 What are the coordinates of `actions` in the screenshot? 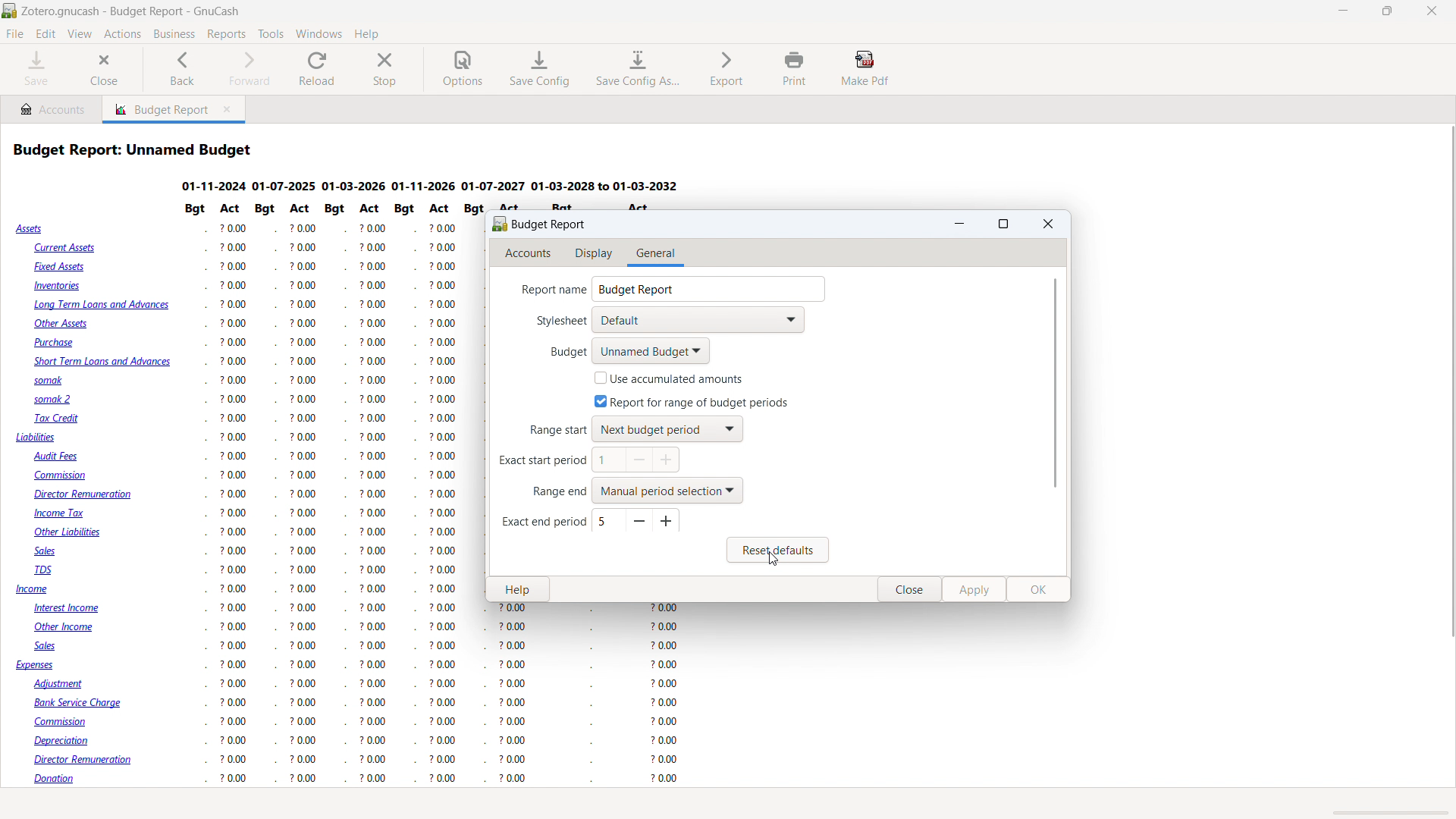 It's located at (122, 35).